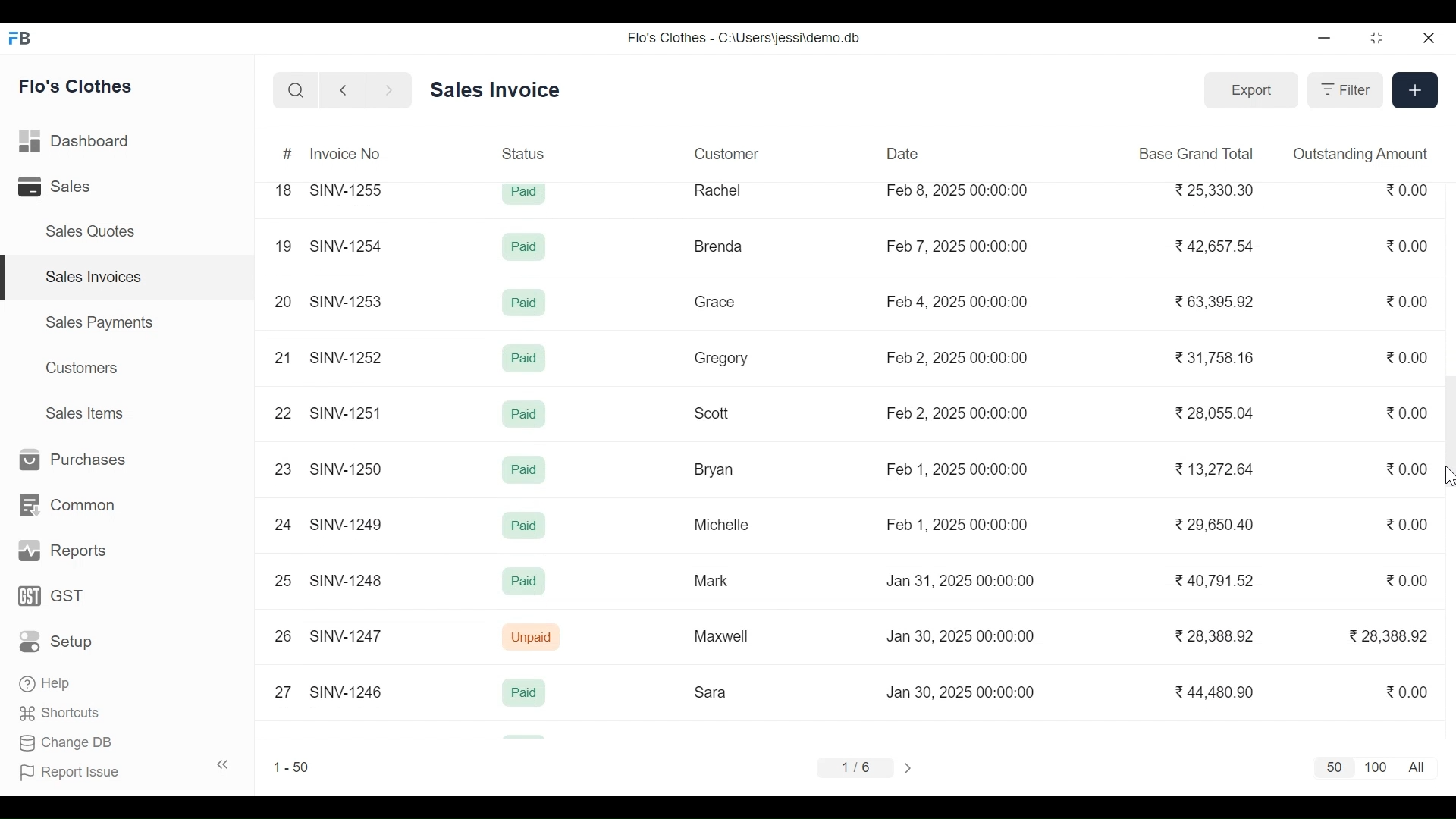  Describe the element at coordinates (1389, 635) in the screenshot. I see `28,388.92` at that location.